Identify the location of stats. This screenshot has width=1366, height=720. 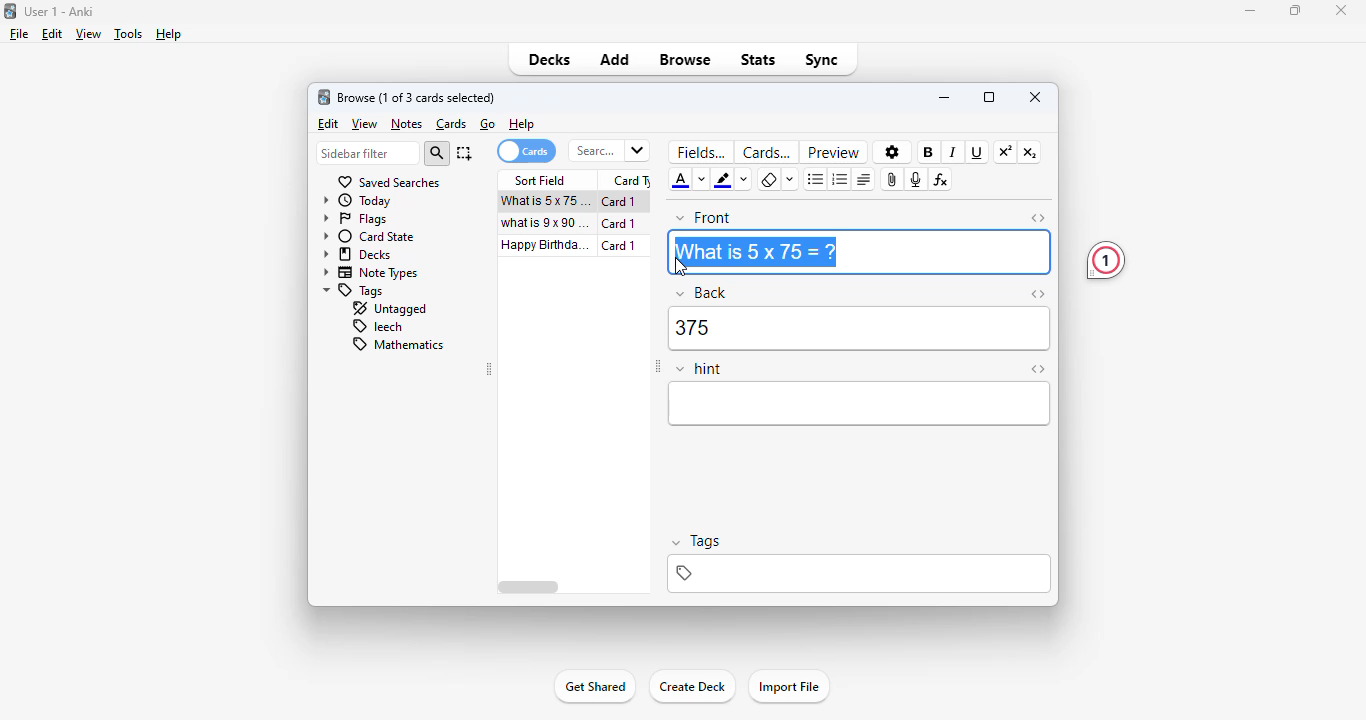
(758, 61).